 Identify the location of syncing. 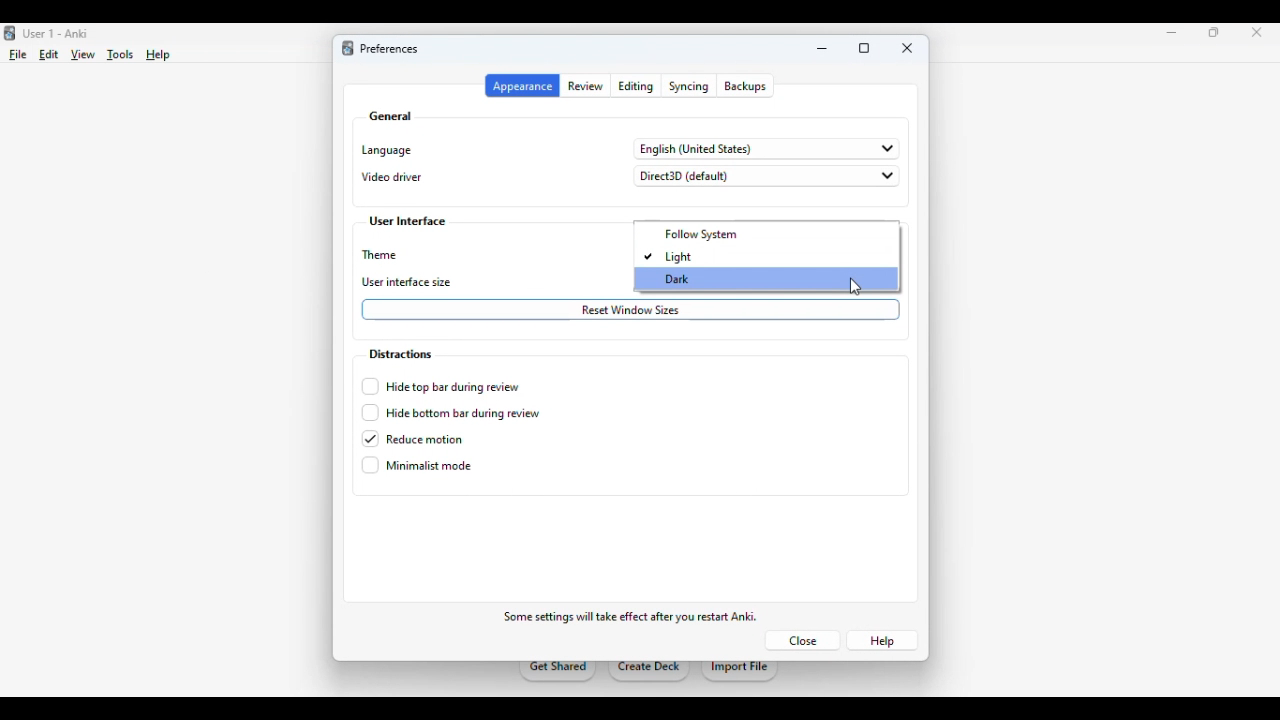
(689, 86).